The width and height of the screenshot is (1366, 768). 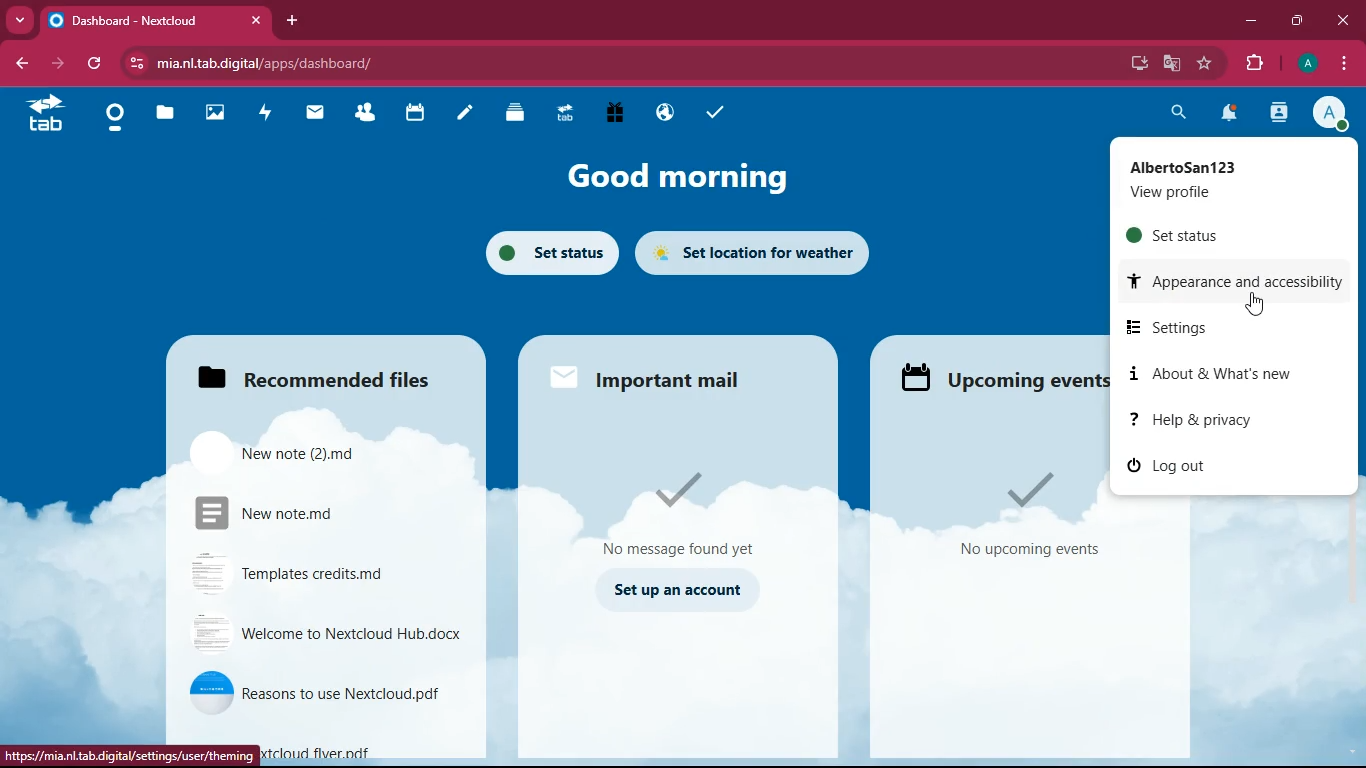 I want to click on file, so click(x=300, y=510).